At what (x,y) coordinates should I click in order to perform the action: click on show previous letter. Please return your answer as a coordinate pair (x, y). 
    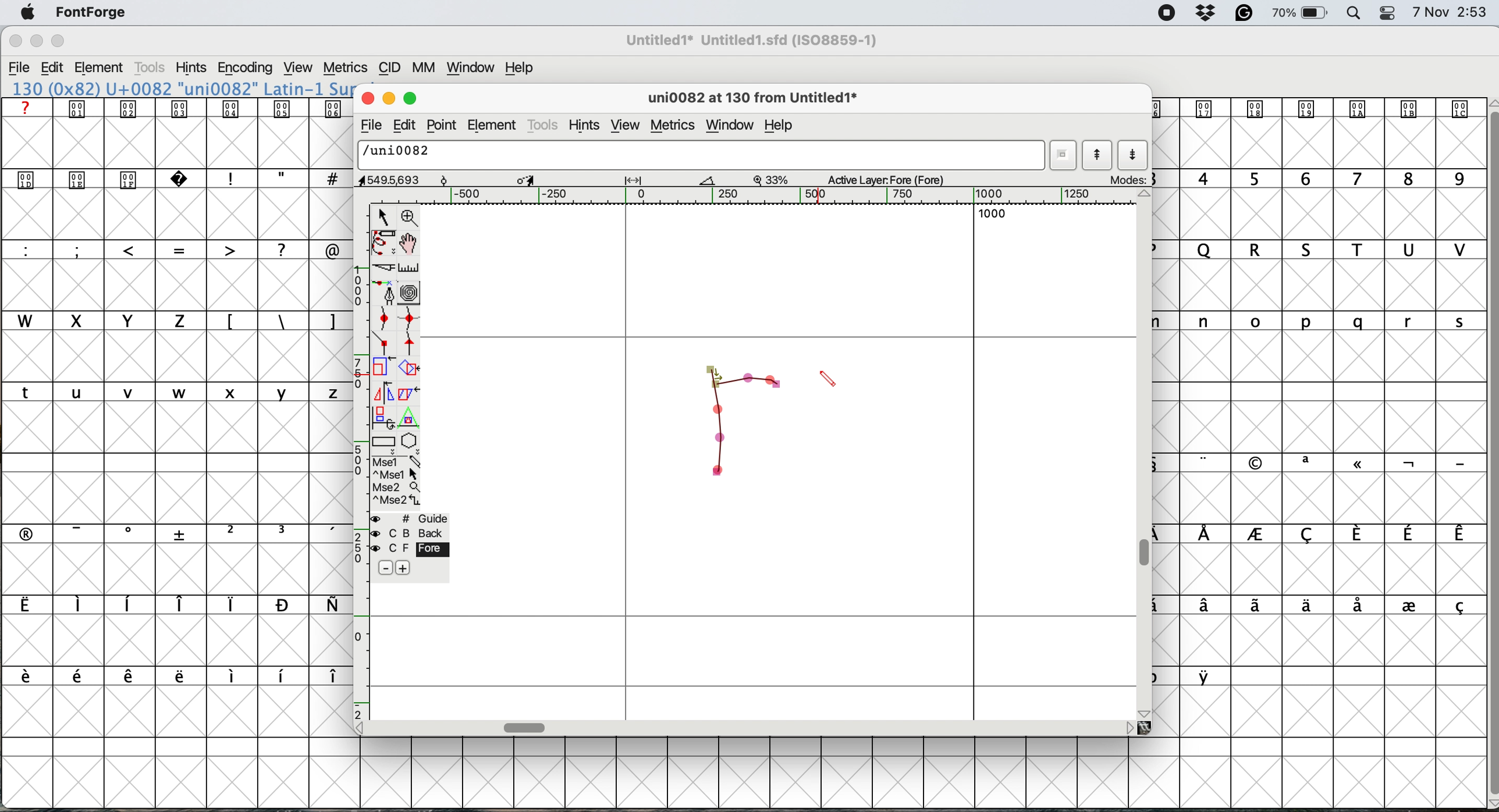
    Looking at the image, I should click on (1097, 155).